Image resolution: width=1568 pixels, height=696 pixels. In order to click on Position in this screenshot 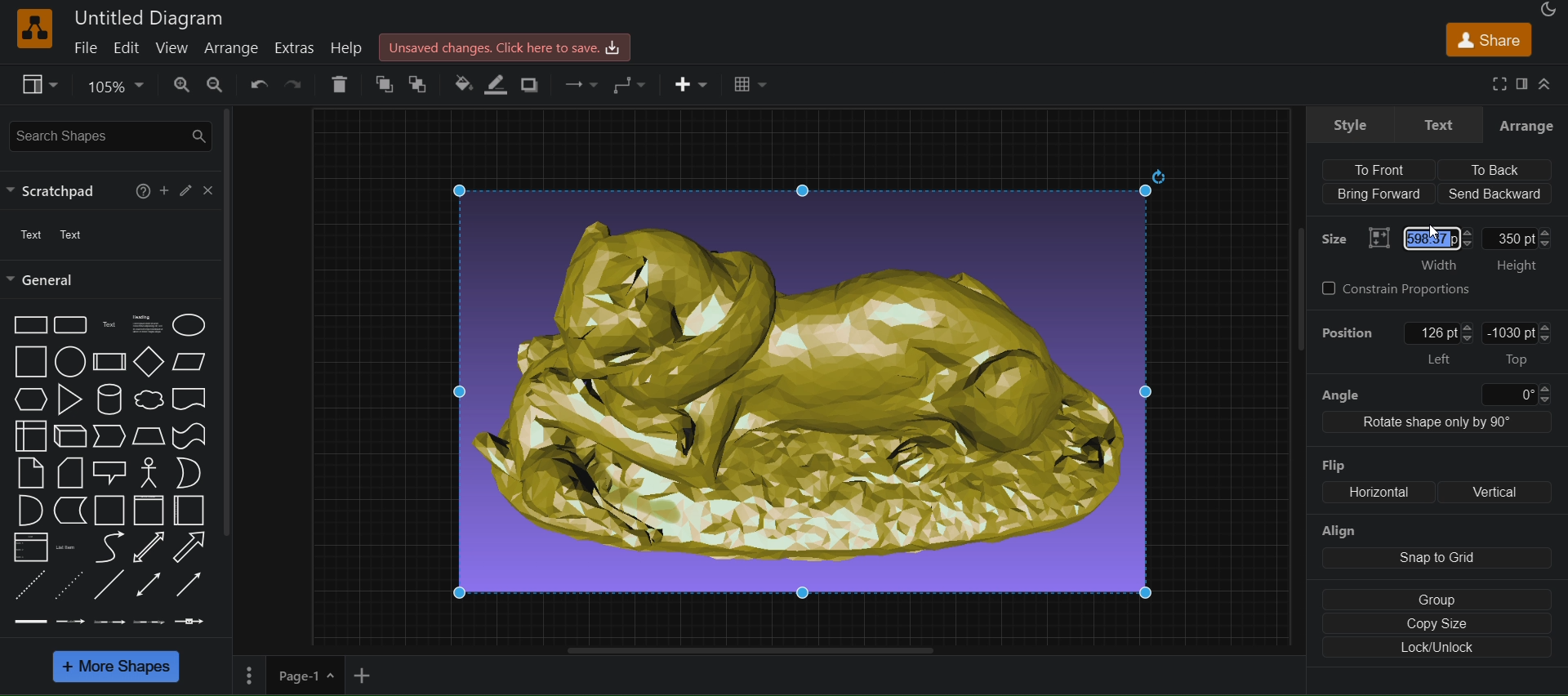, I will do `click(1348, 331)`.